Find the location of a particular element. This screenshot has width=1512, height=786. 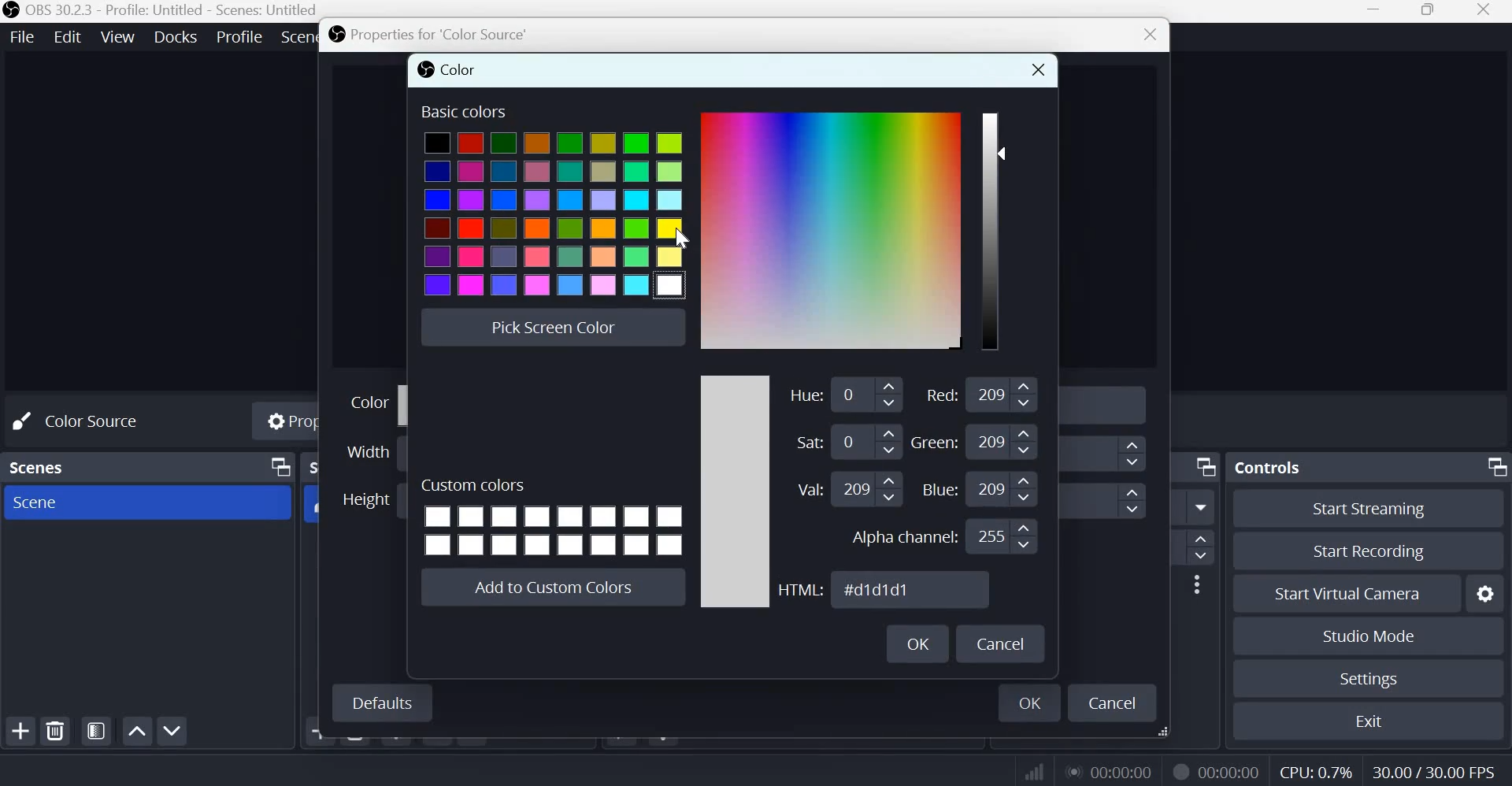

Dock Options icon is located at coordinates (1202, 466).